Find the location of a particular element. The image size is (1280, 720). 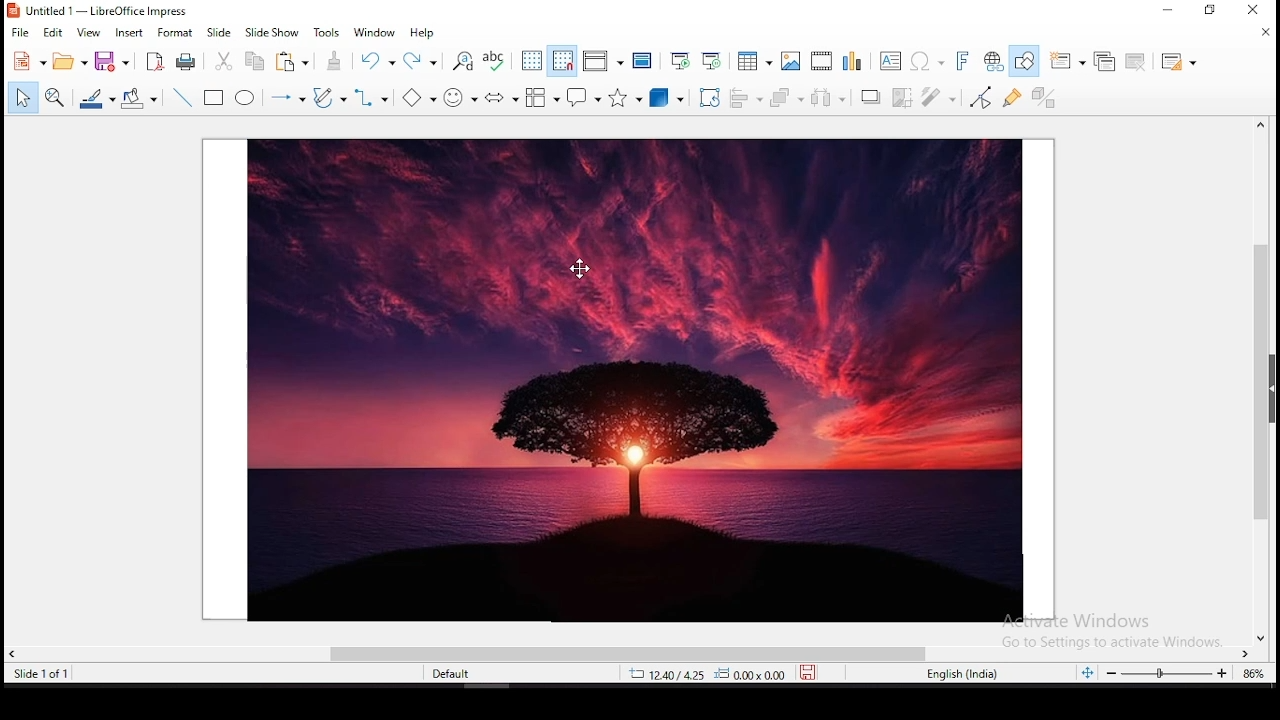

Untitled 1 - LibreOffice Impress is located at coordinates (100, 11).